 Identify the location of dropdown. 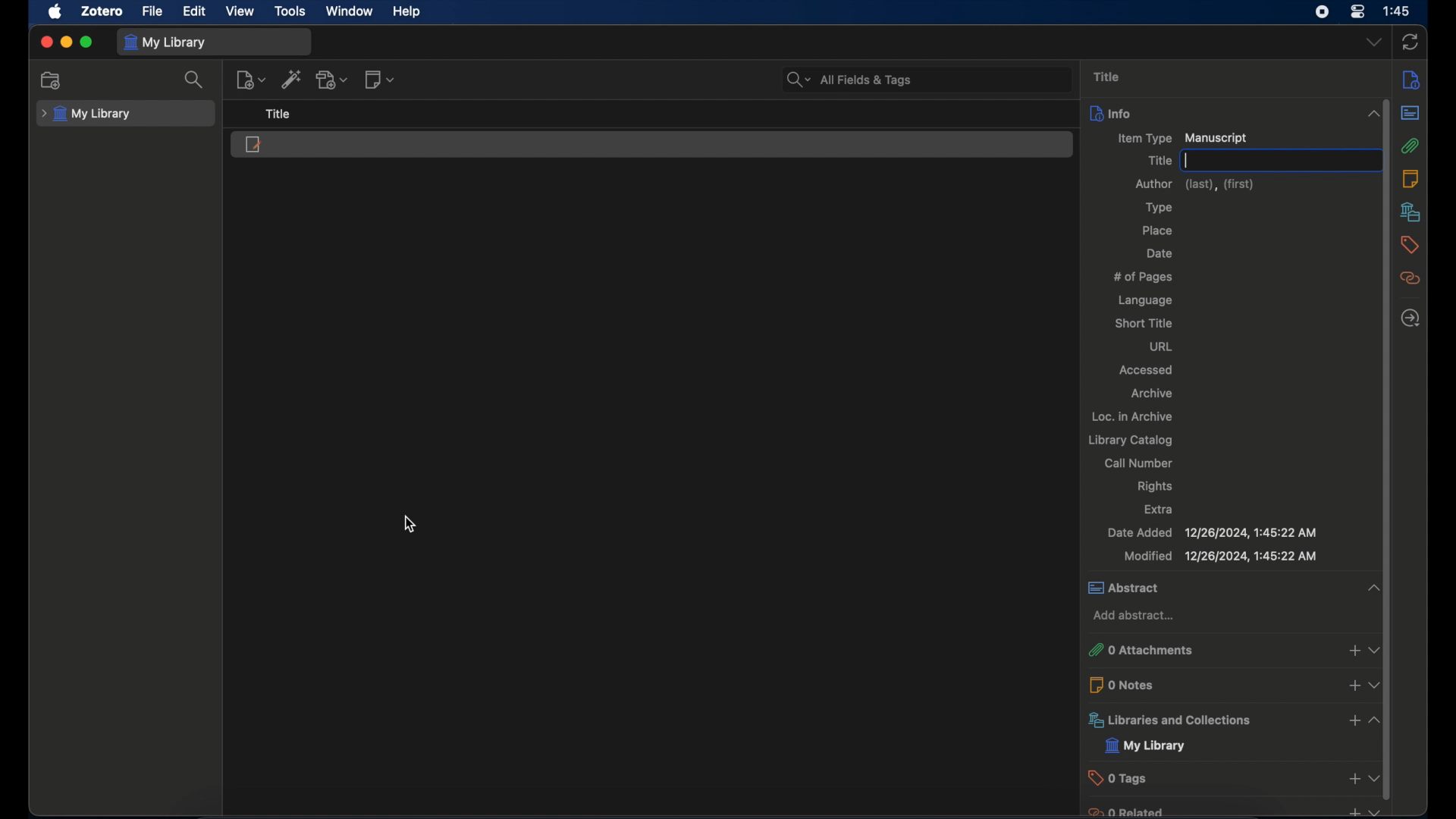
(1374, 43).